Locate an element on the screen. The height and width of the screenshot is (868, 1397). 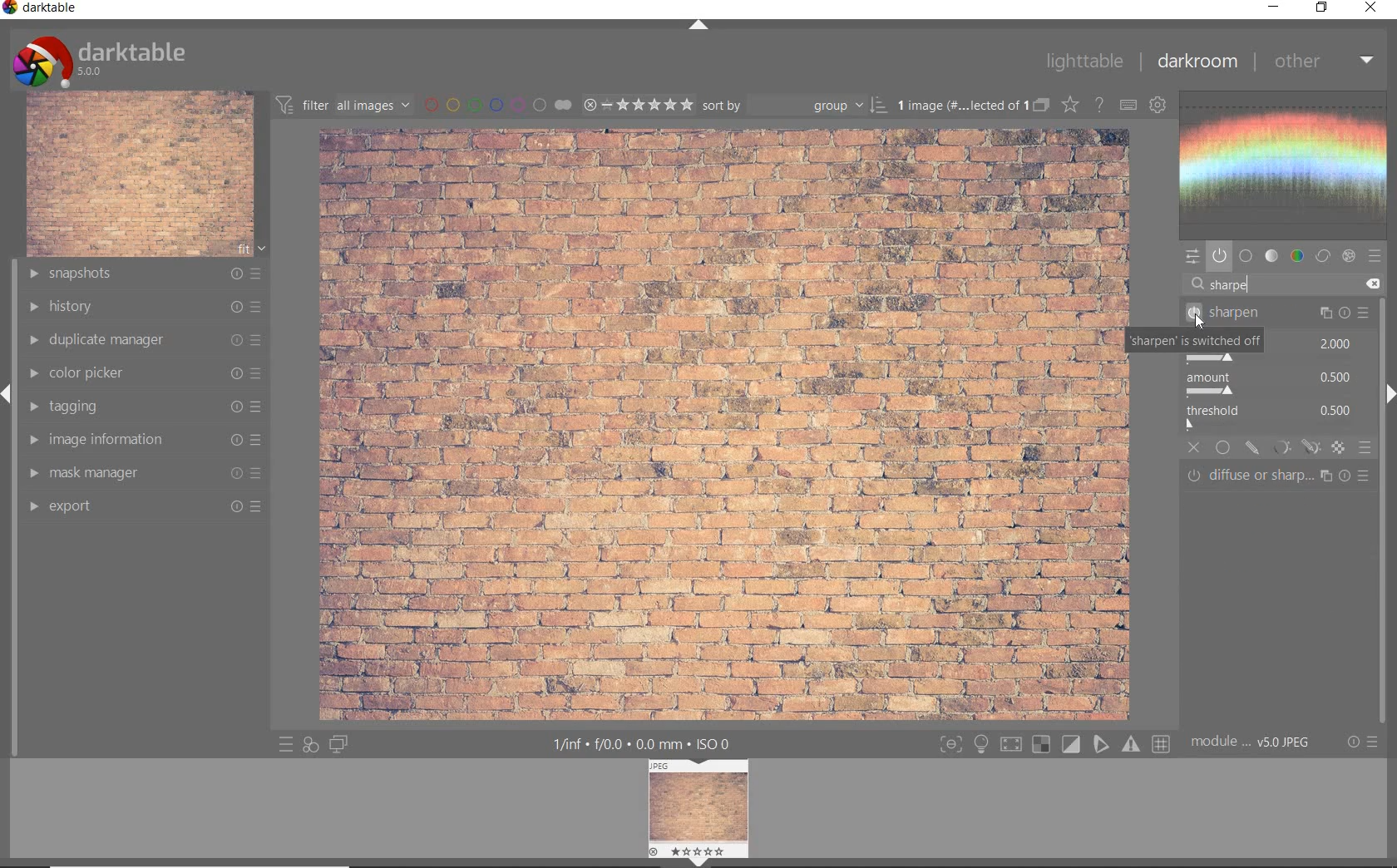
reset or preset preference is located at coordinates (1360, 742).